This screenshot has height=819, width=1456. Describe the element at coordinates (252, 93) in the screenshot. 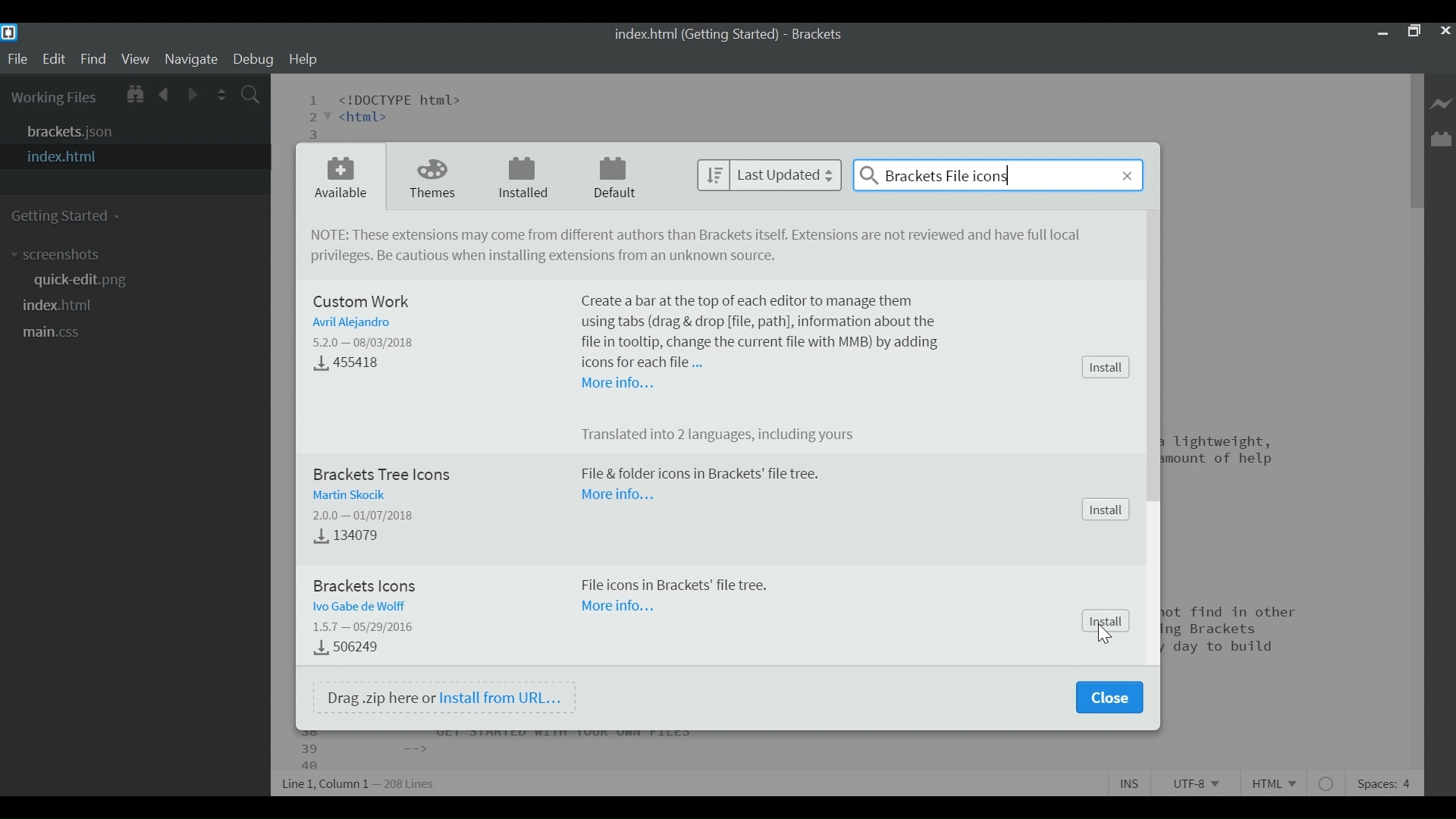

I see `Find In Files` at that location.